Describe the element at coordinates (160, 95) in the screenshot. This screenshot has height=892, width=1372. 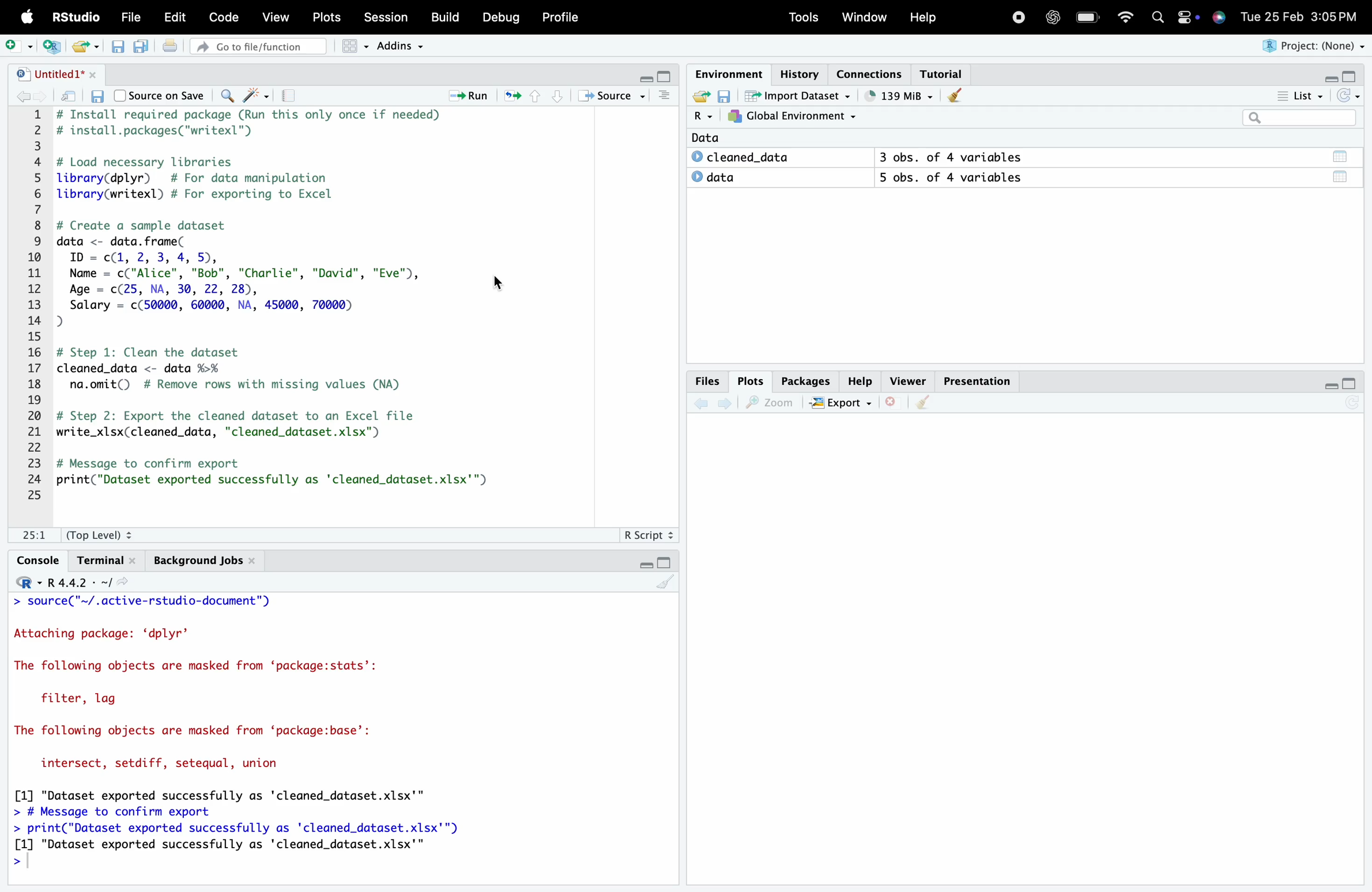
I see `Source on Save` at that location.